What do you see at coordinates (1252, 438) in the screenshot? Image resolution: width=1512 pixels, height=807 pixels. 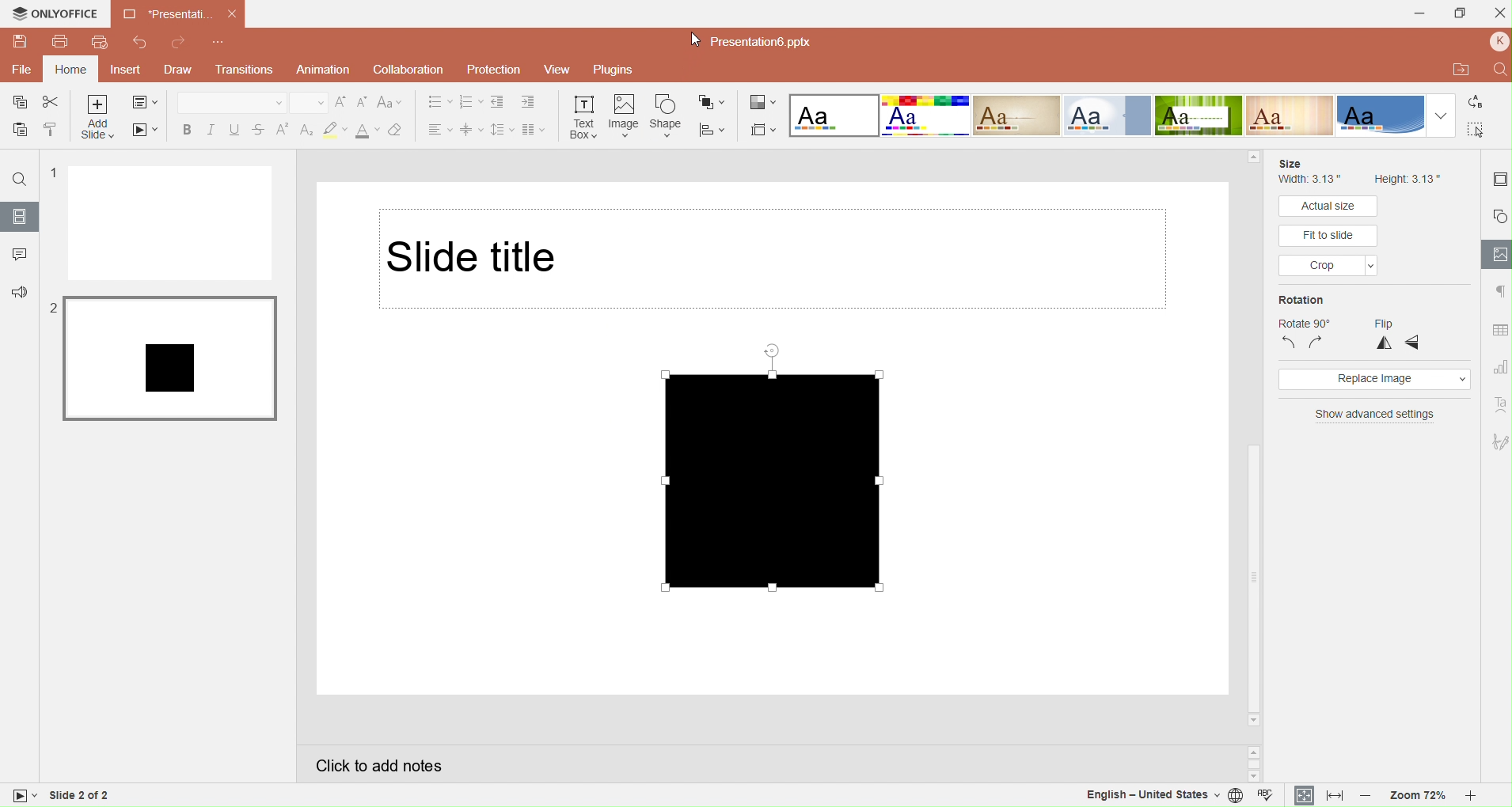 I see `Horizontal scrollbar` at bounding box center [1252, 438].